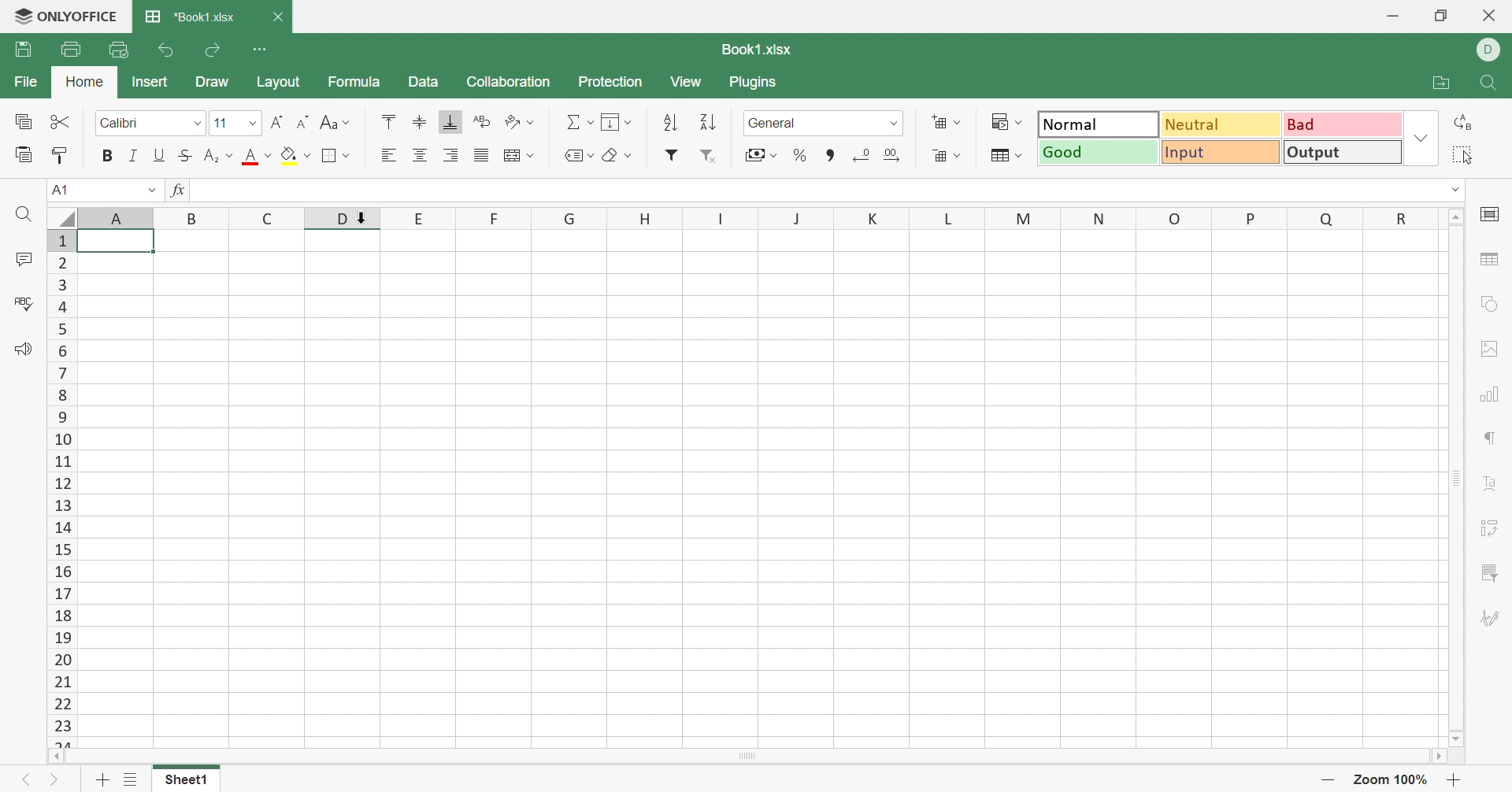  I want to click on Drop Down, so click(957, 156).